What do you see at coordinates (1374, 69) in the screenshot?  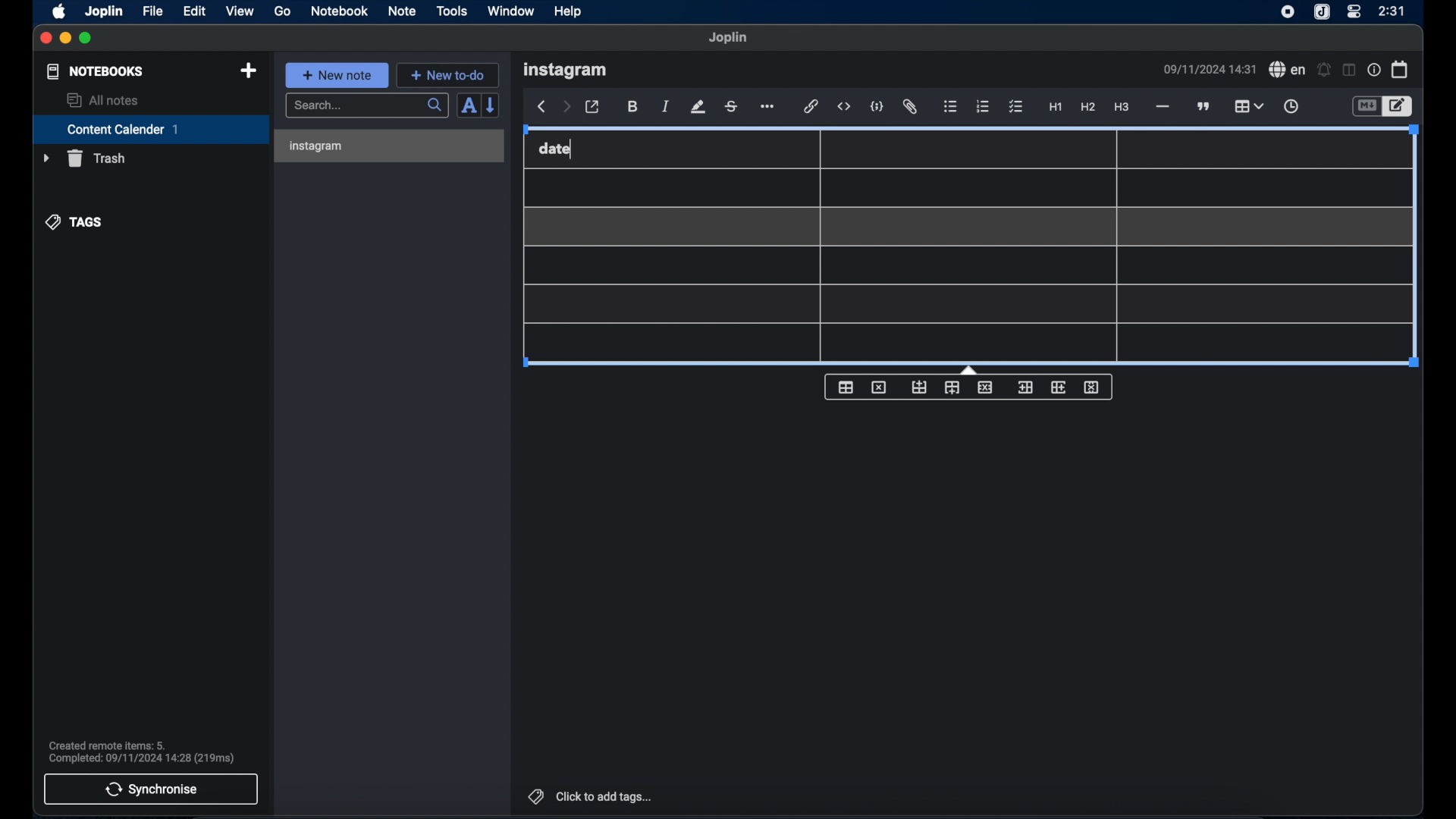 I see `note properties` at bounding box center [1374, 69].